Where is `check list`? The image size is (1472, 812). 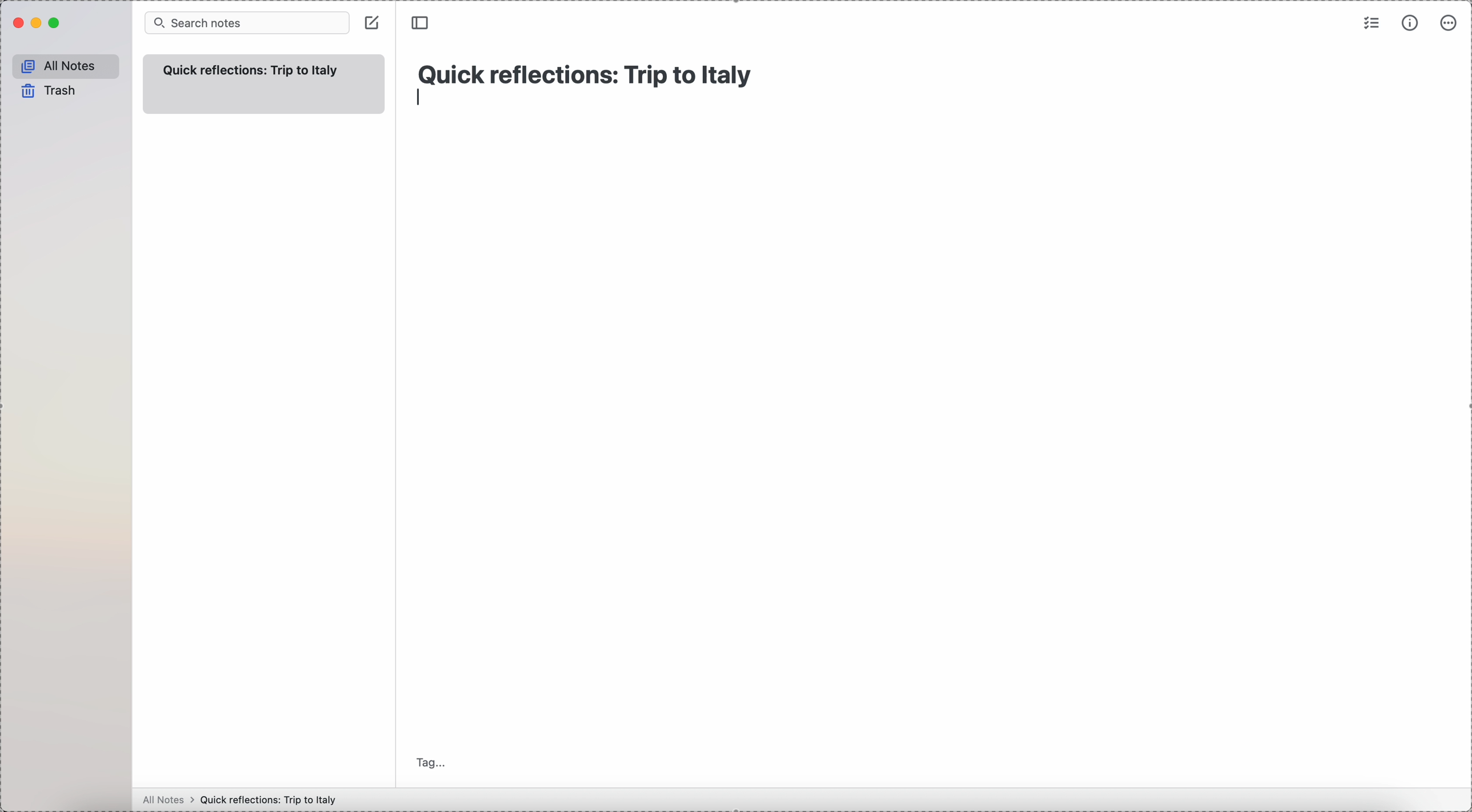 check list is located at coordinates (1372, 22).